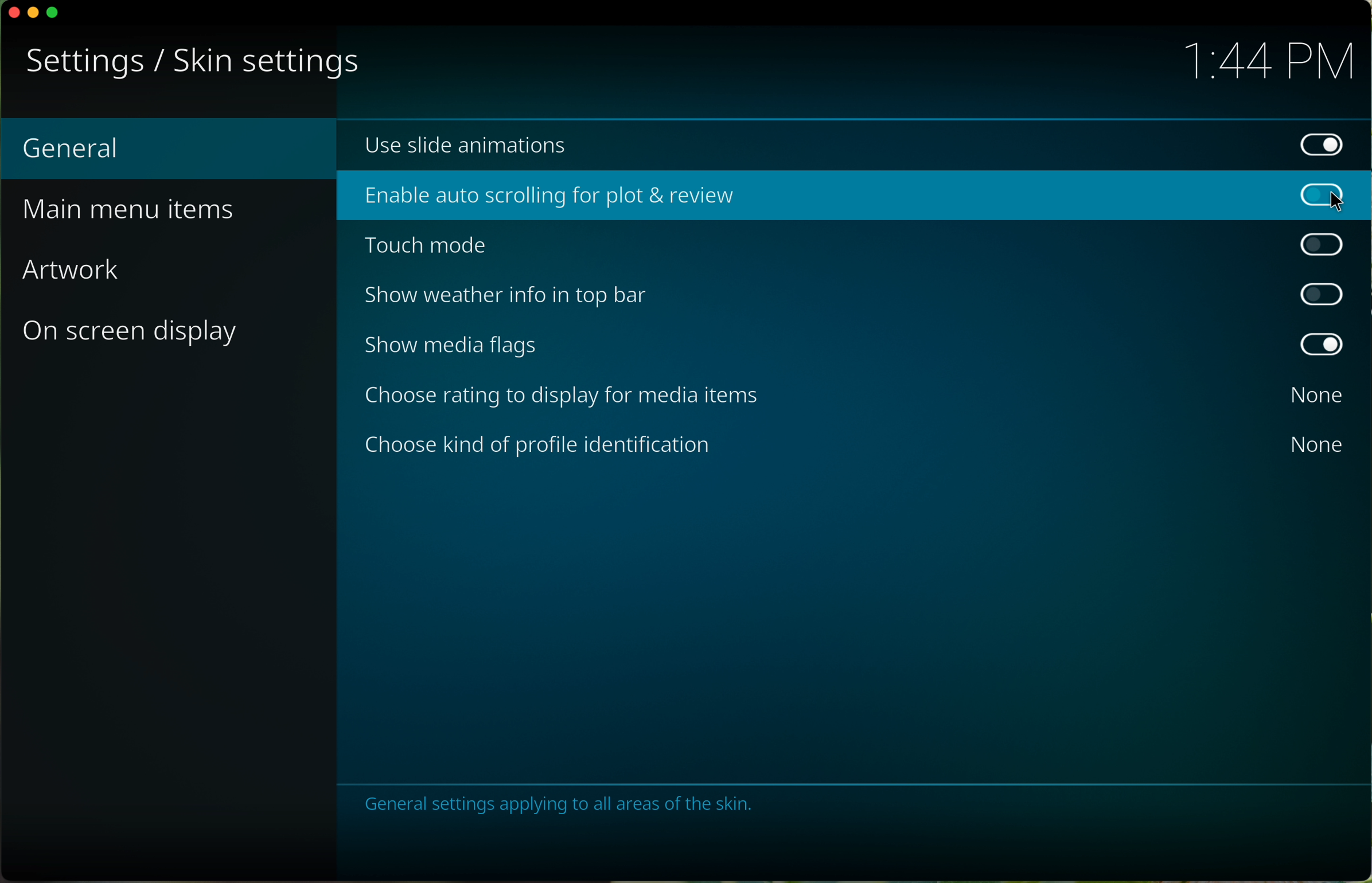  I want to click on skin settings, so click(258, 64).